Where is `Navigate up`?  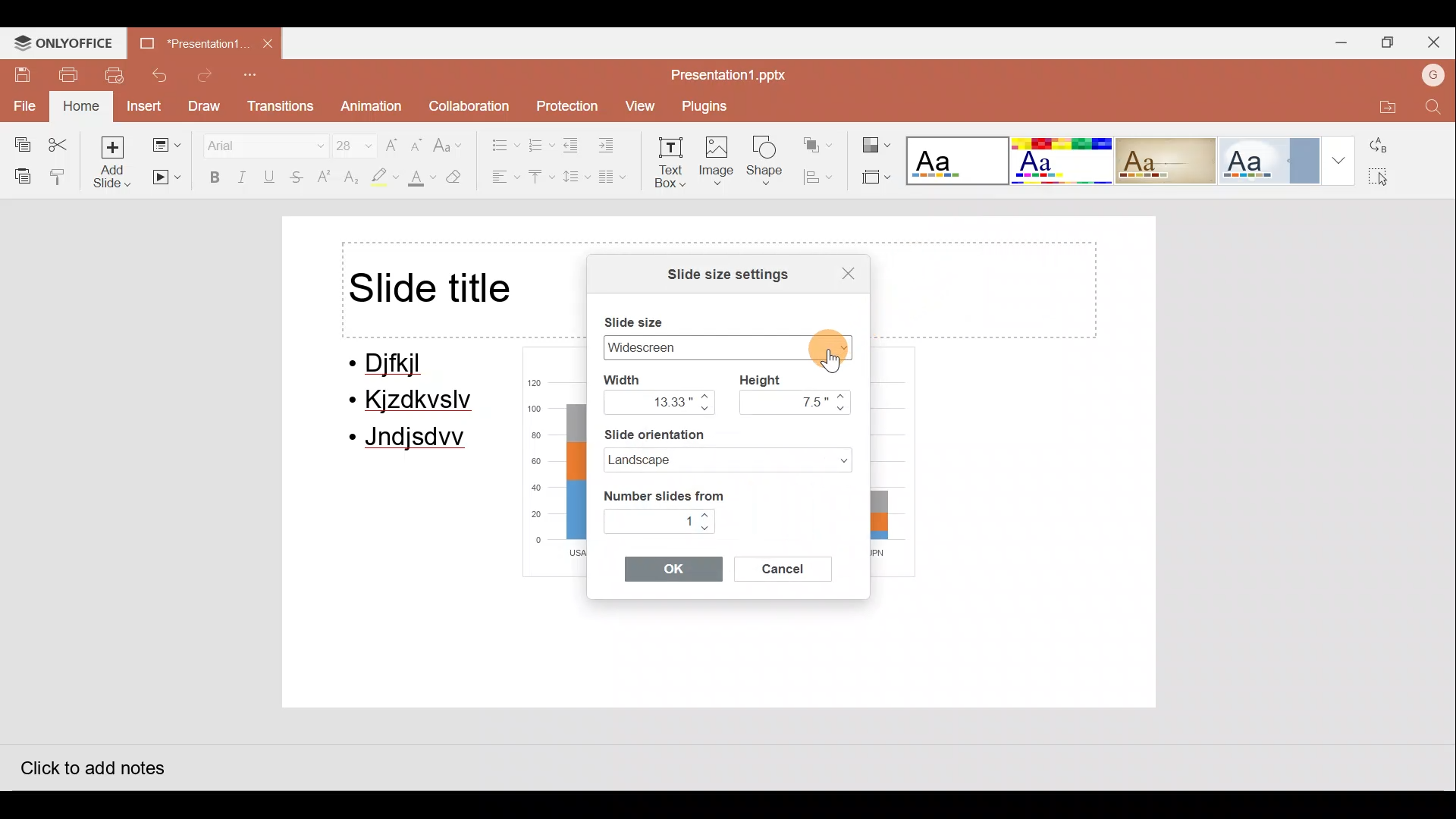
Navigate up is located at coordinates (705, 395).